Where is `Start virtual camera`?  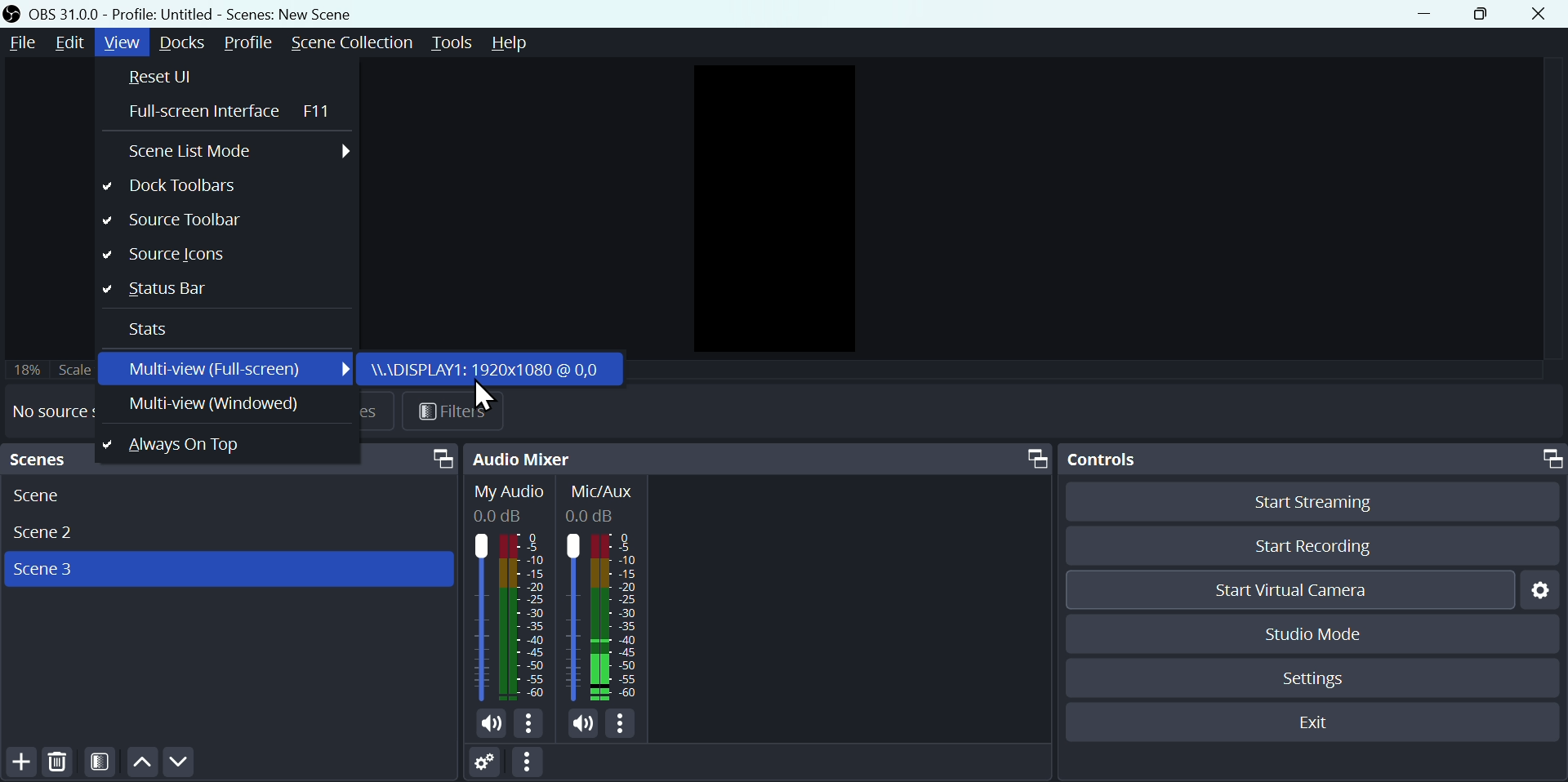
Start virtual camera is located at coordinates (1290, 587).